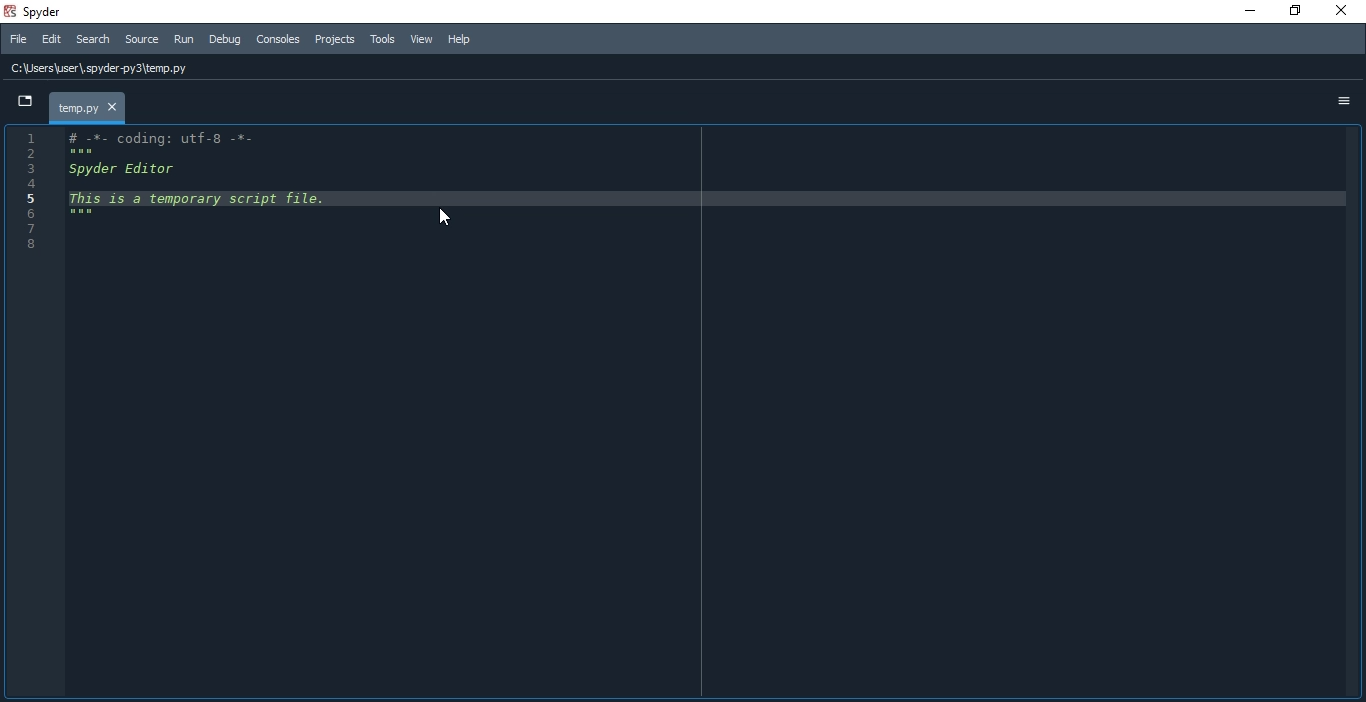  What do you see at coordinates (382, 40) in the screenshot?
I see `Tools` at bounding box center [382, 40].